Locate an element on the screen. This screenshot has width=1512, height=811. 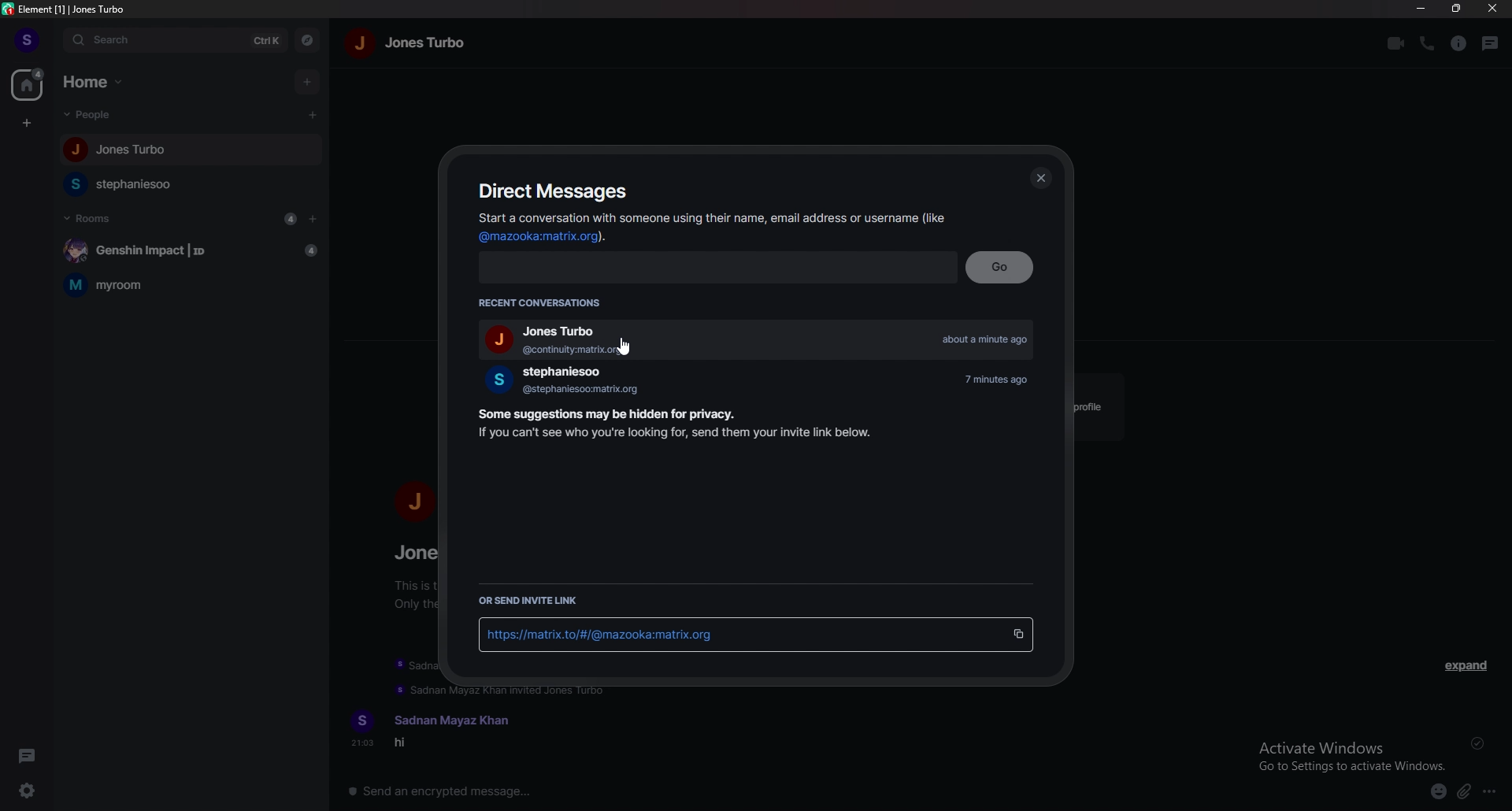
s is located at coordinates (28, 39).